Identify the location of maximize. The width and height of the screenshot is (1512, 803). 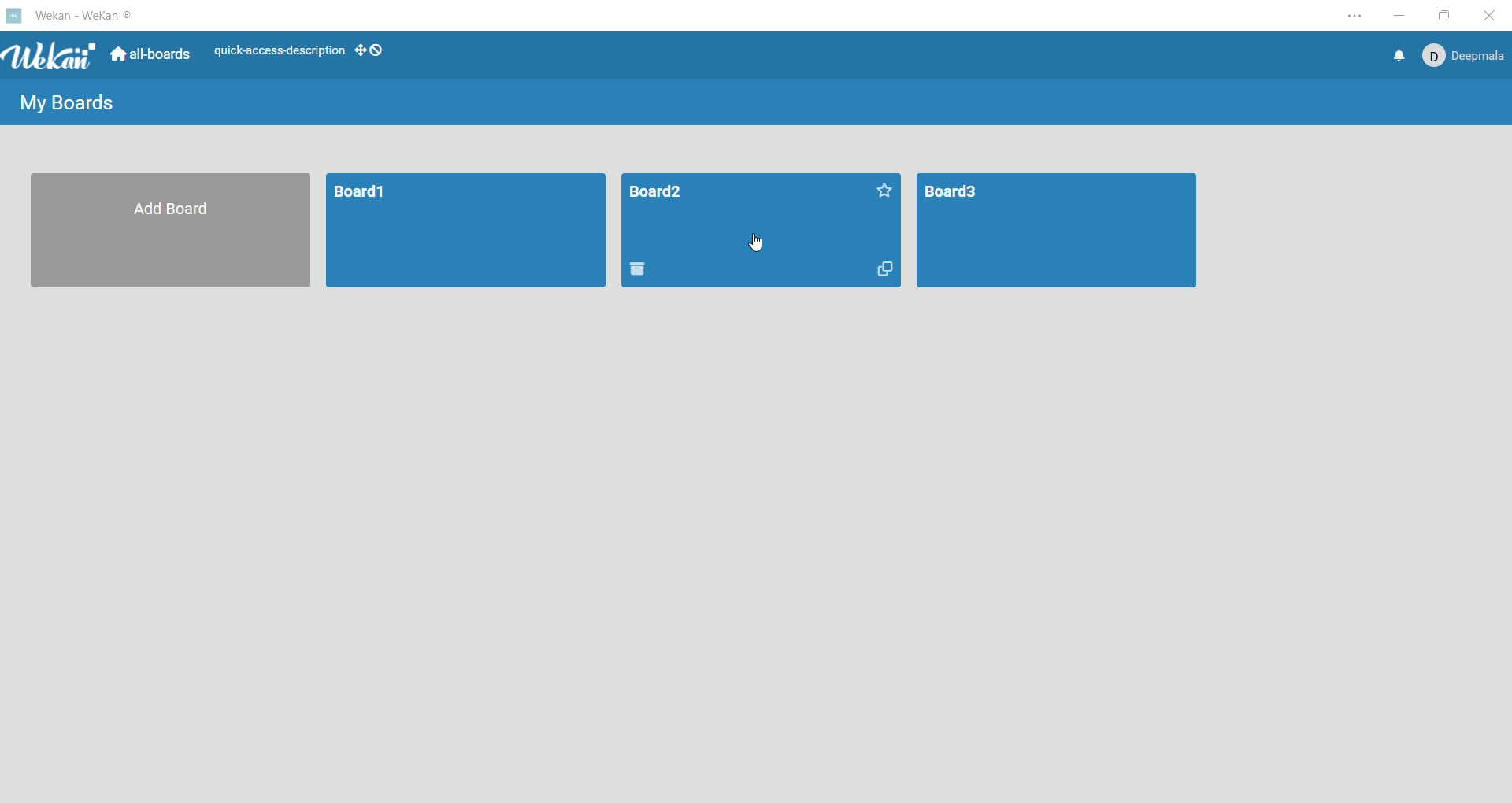
(1444, 17).